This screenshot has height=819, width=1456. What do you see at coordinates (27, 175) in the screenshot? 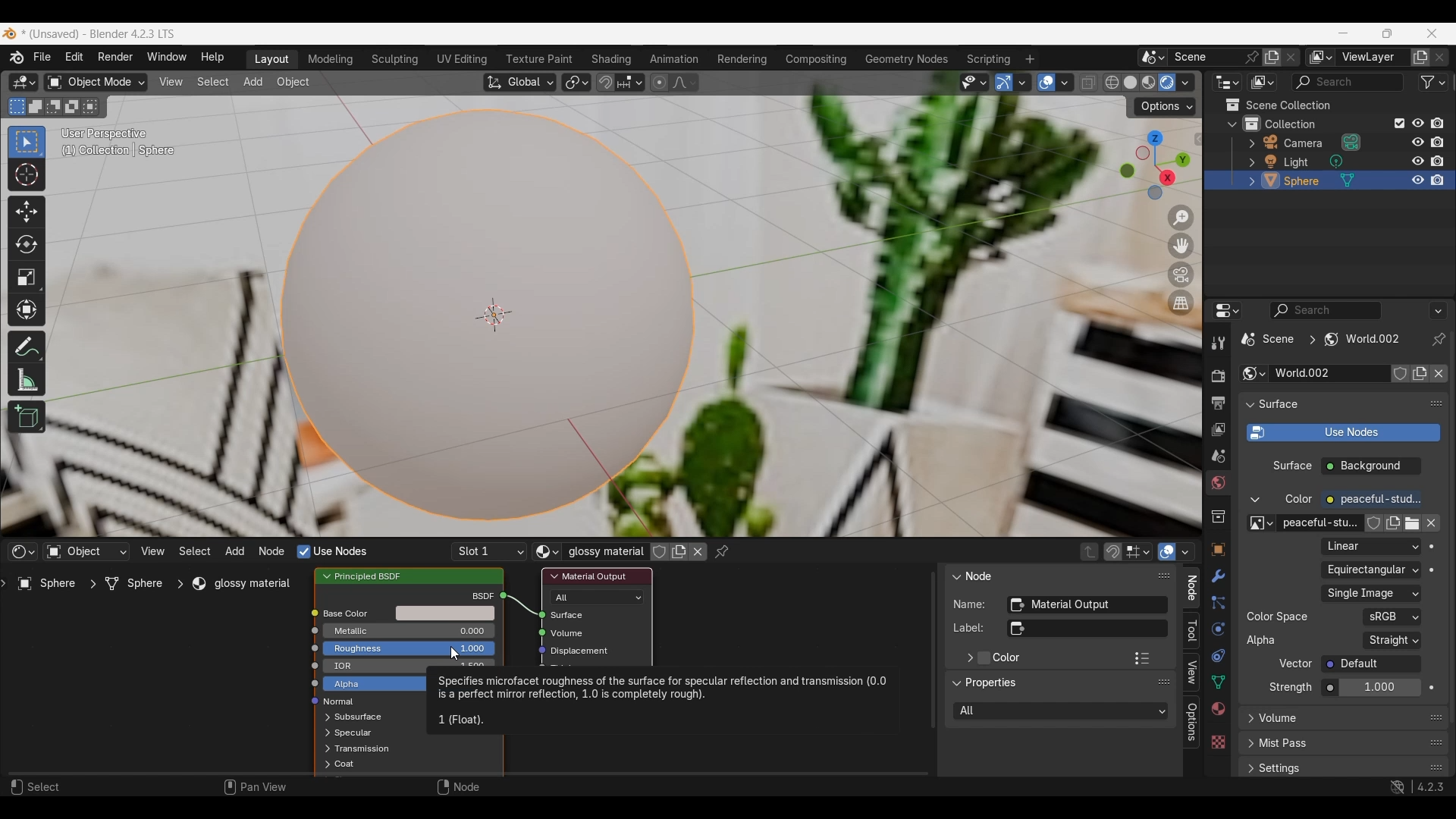
I see `Cursor` at bounding box center [27, 175].